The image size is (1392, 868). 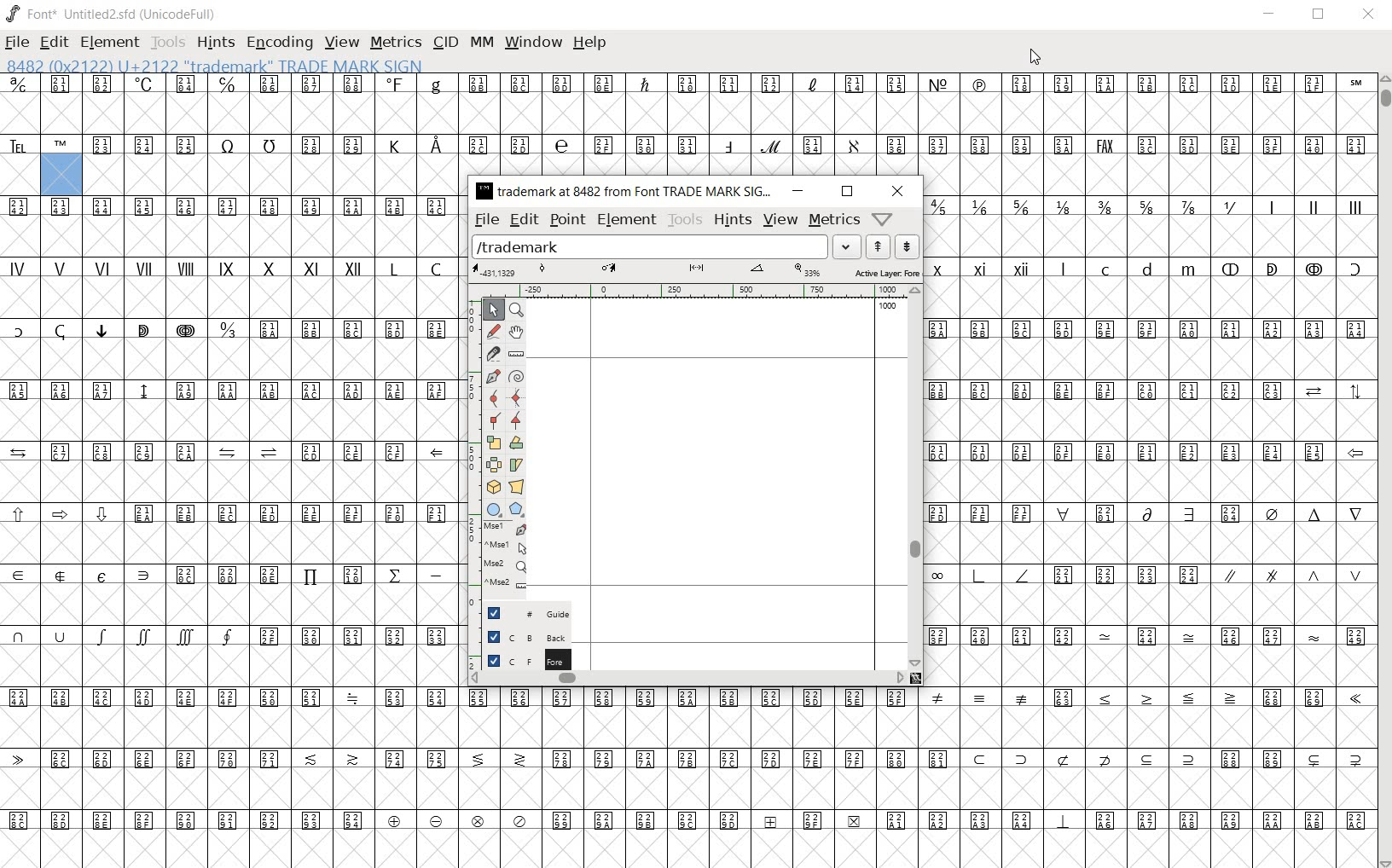 What do you see at coordinates (445, 45) in the screenshot?
I see `CID` at bounding box center [445, 45].